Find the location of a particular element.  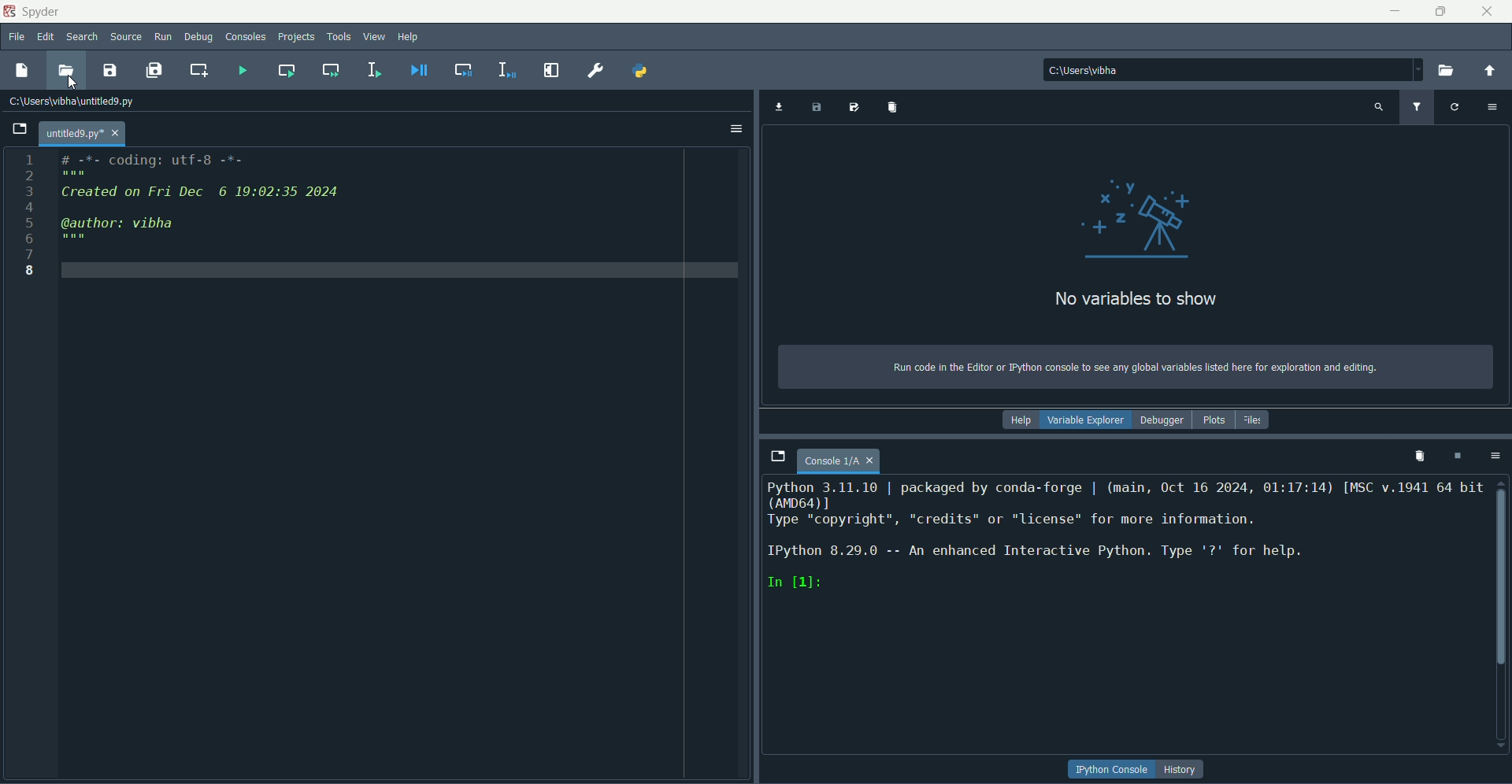

search variable is located at coordinates (1377, 108).